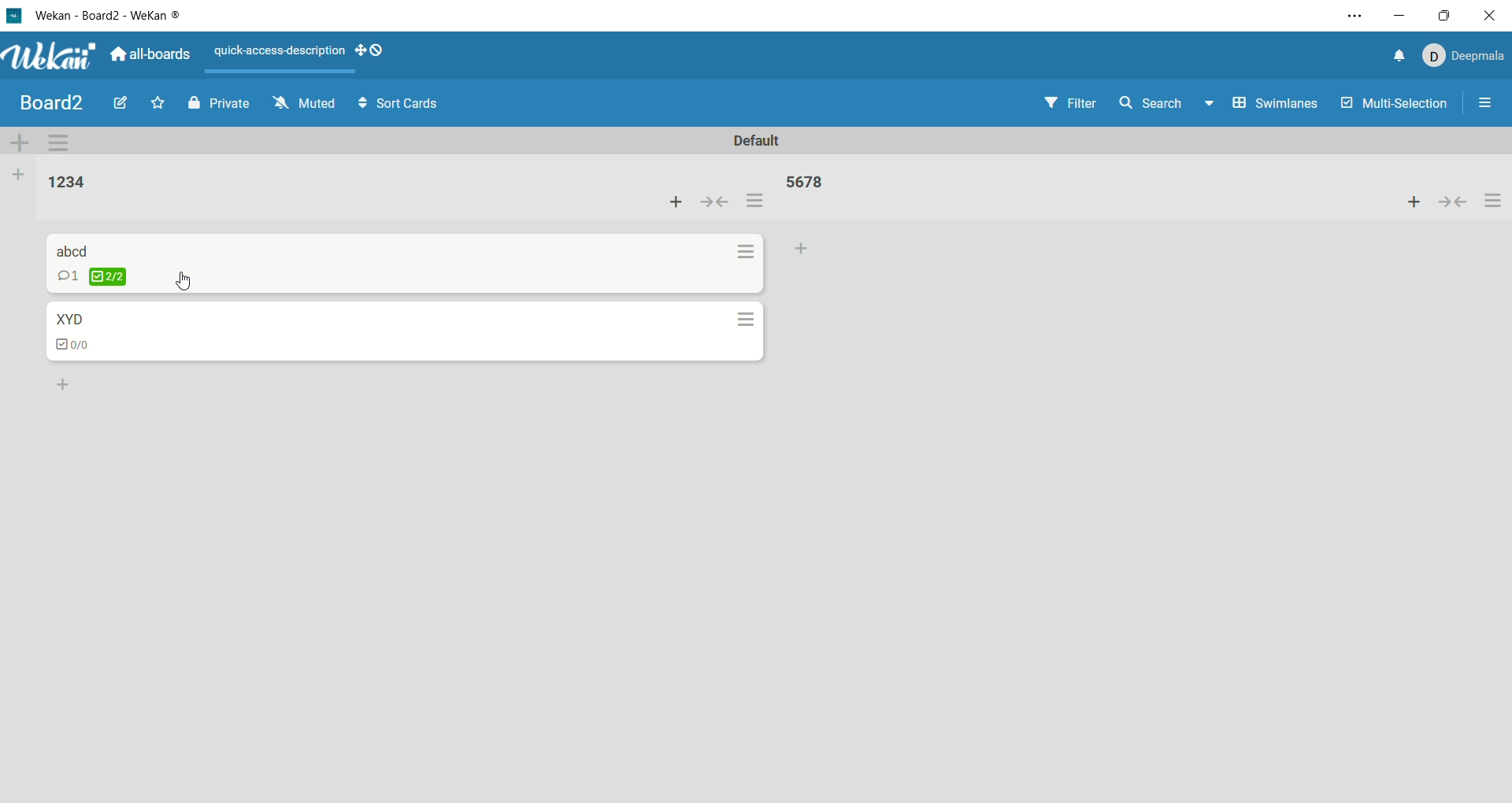 The width and height of the screenshot is (1512, 803). What do you see at coordinates (177, 279) in the screenshot?
I see `cursor` at bounding box center [177, 279].